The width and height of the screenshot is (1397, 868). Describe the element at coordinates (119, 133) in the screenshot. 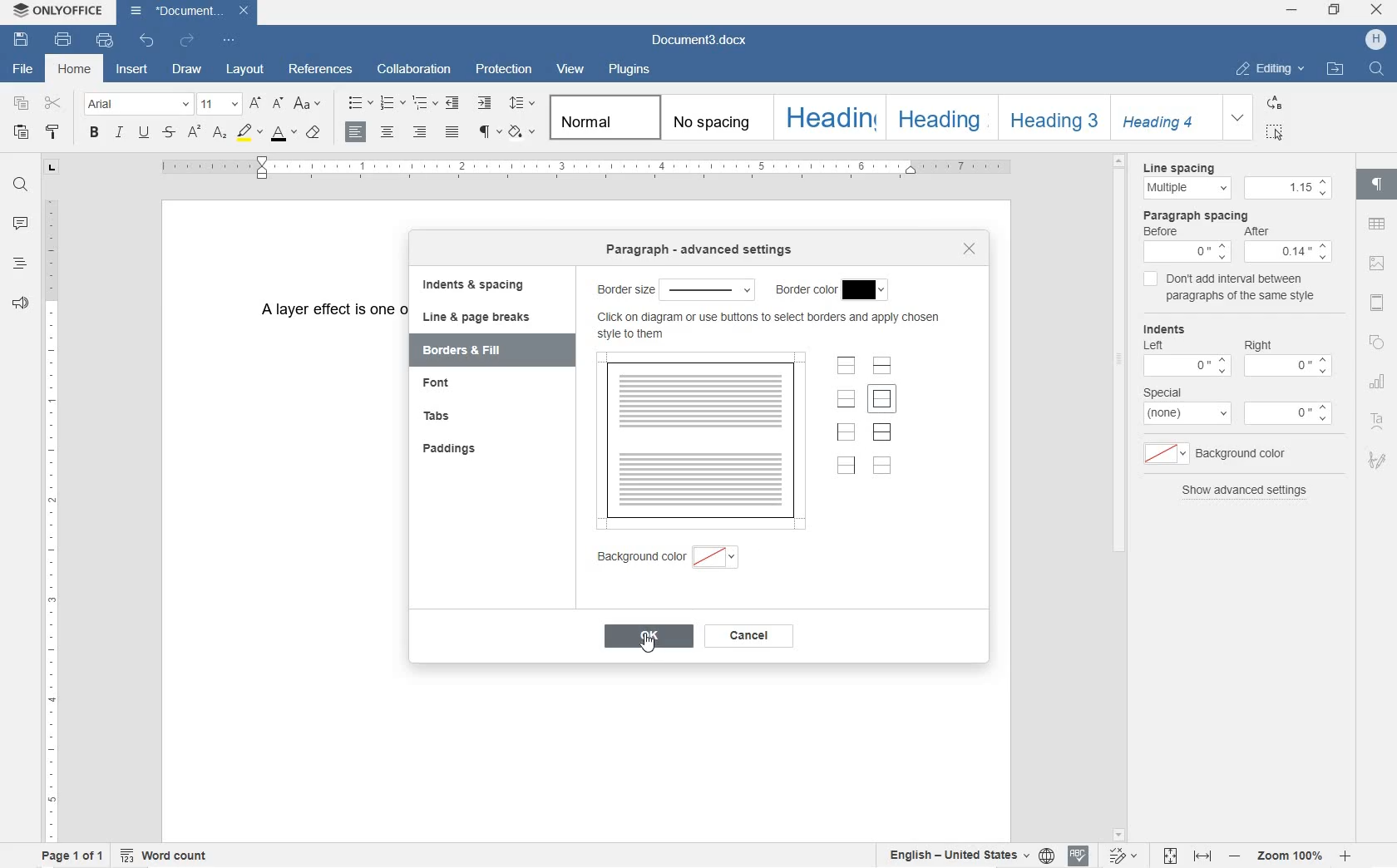

I see `ITALIC` at that location.